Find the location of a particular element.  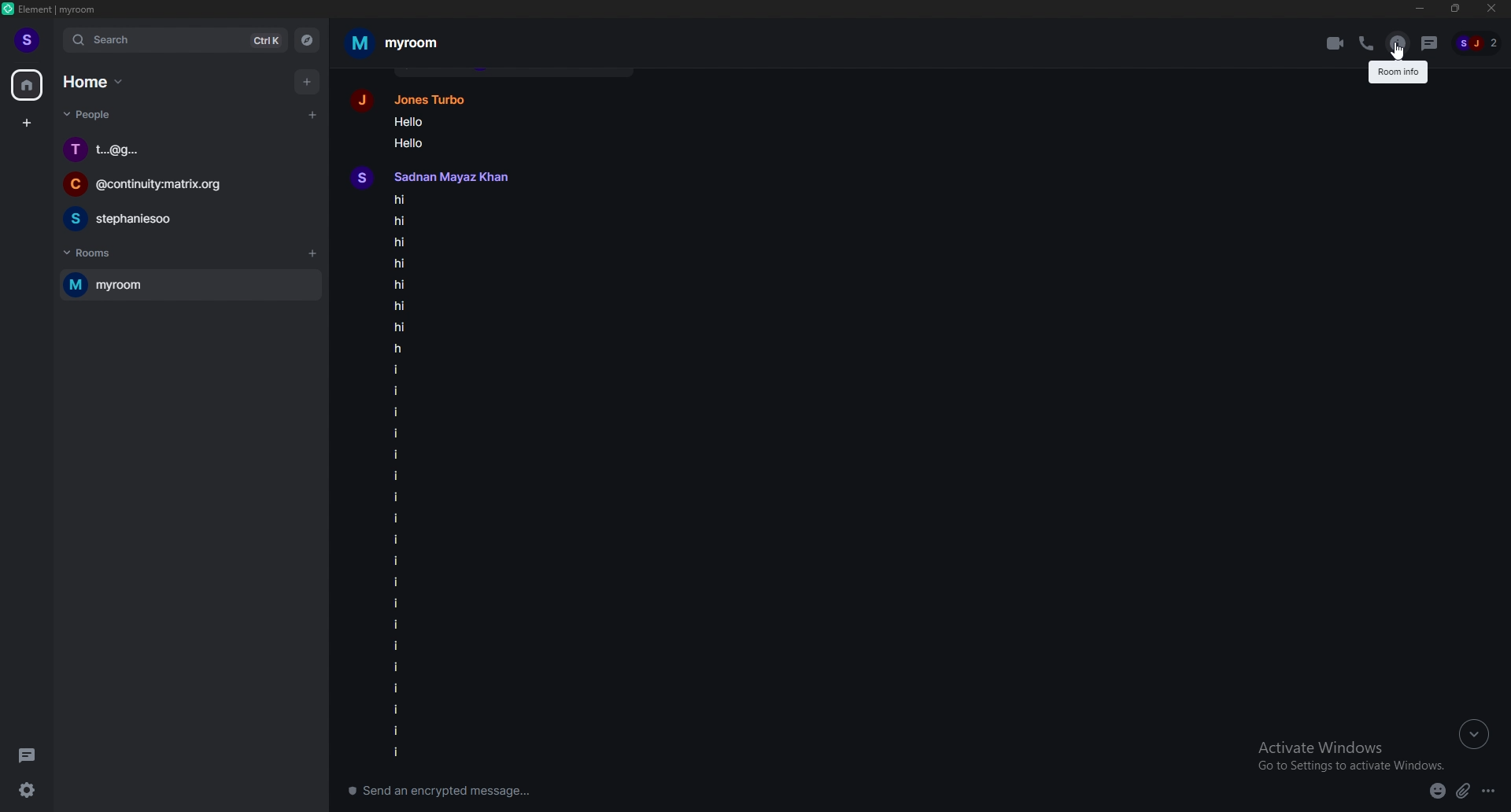

home is located at coordinates (28, 84).